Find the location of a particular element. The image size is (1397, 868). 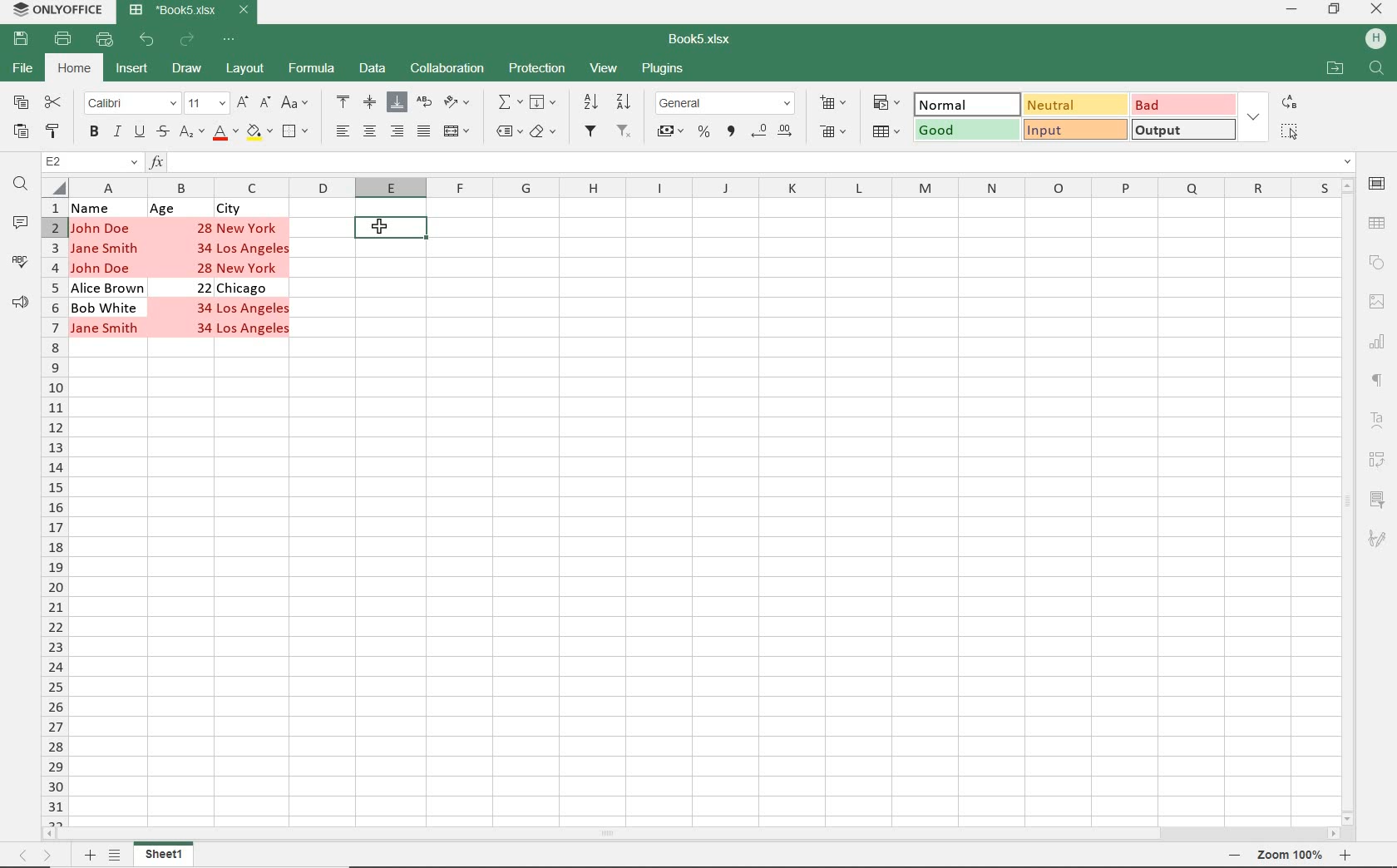

ALIGN LEFT is located at coordinates (343, 132).